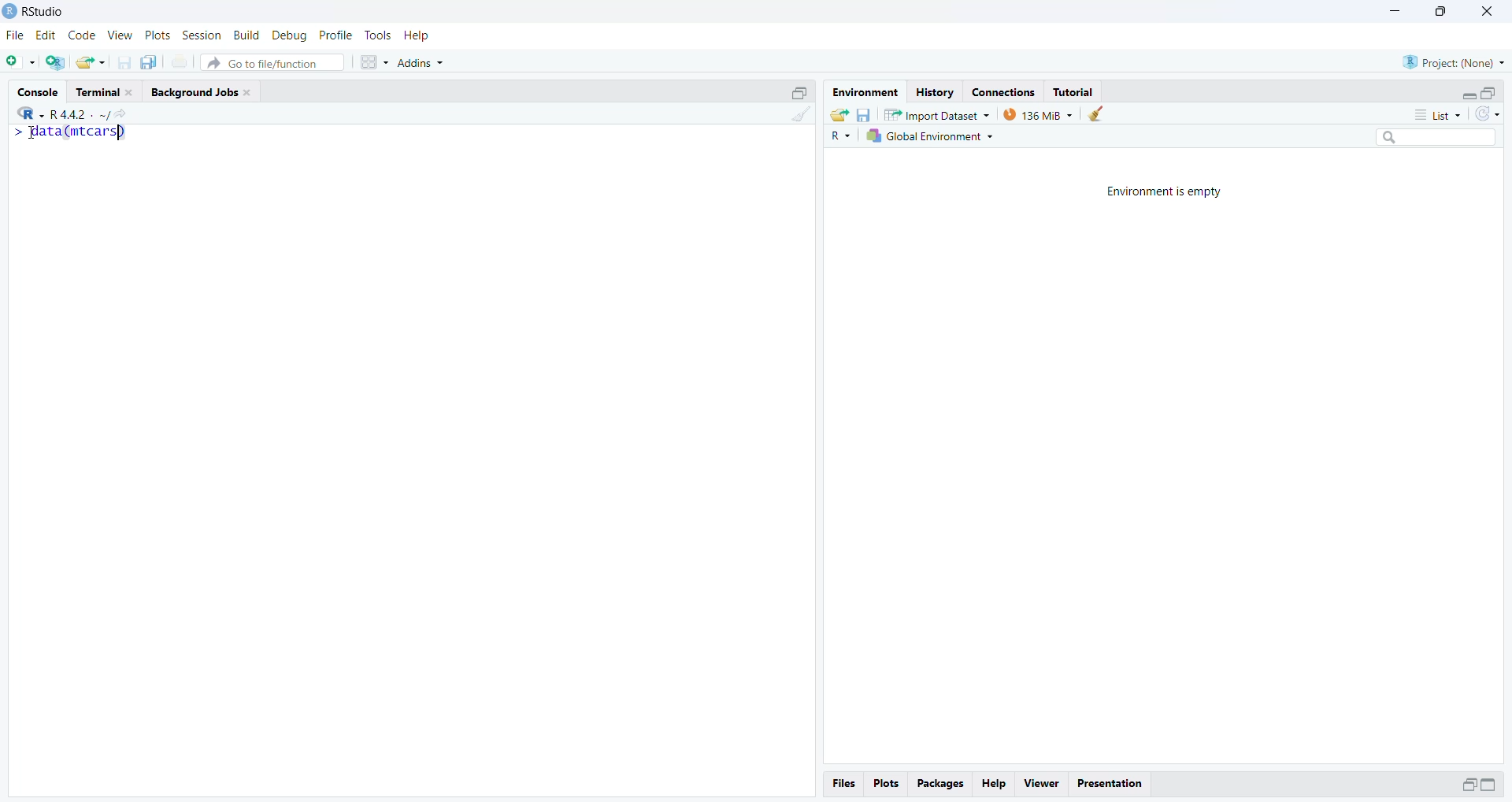 The image size is (1512, 802). Describe the element at coordinates (56, 61) in the screenshot. I see `Create a project` at that location.